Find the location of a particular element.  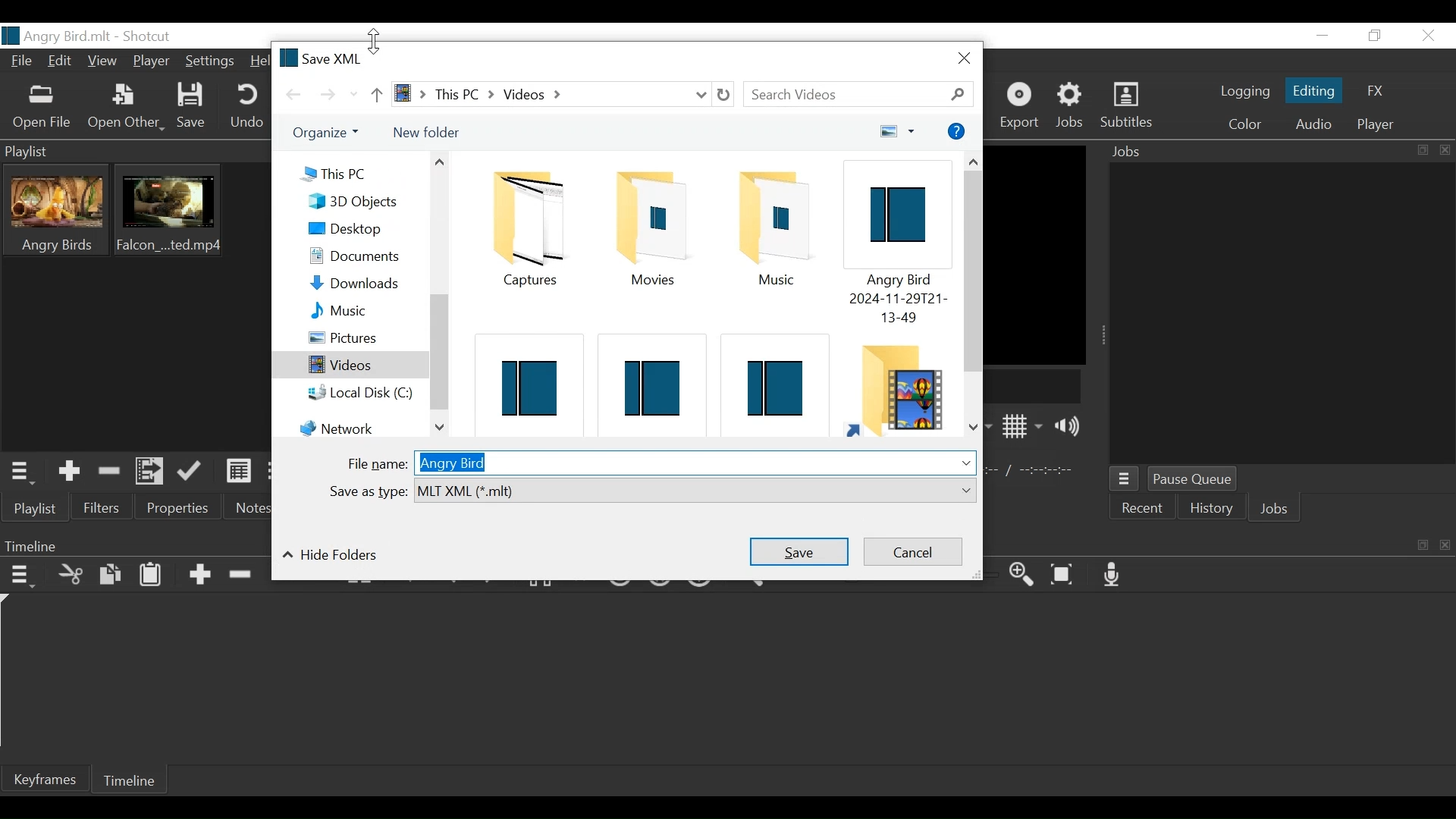

Jobs is located at coordinates (1272, 510).